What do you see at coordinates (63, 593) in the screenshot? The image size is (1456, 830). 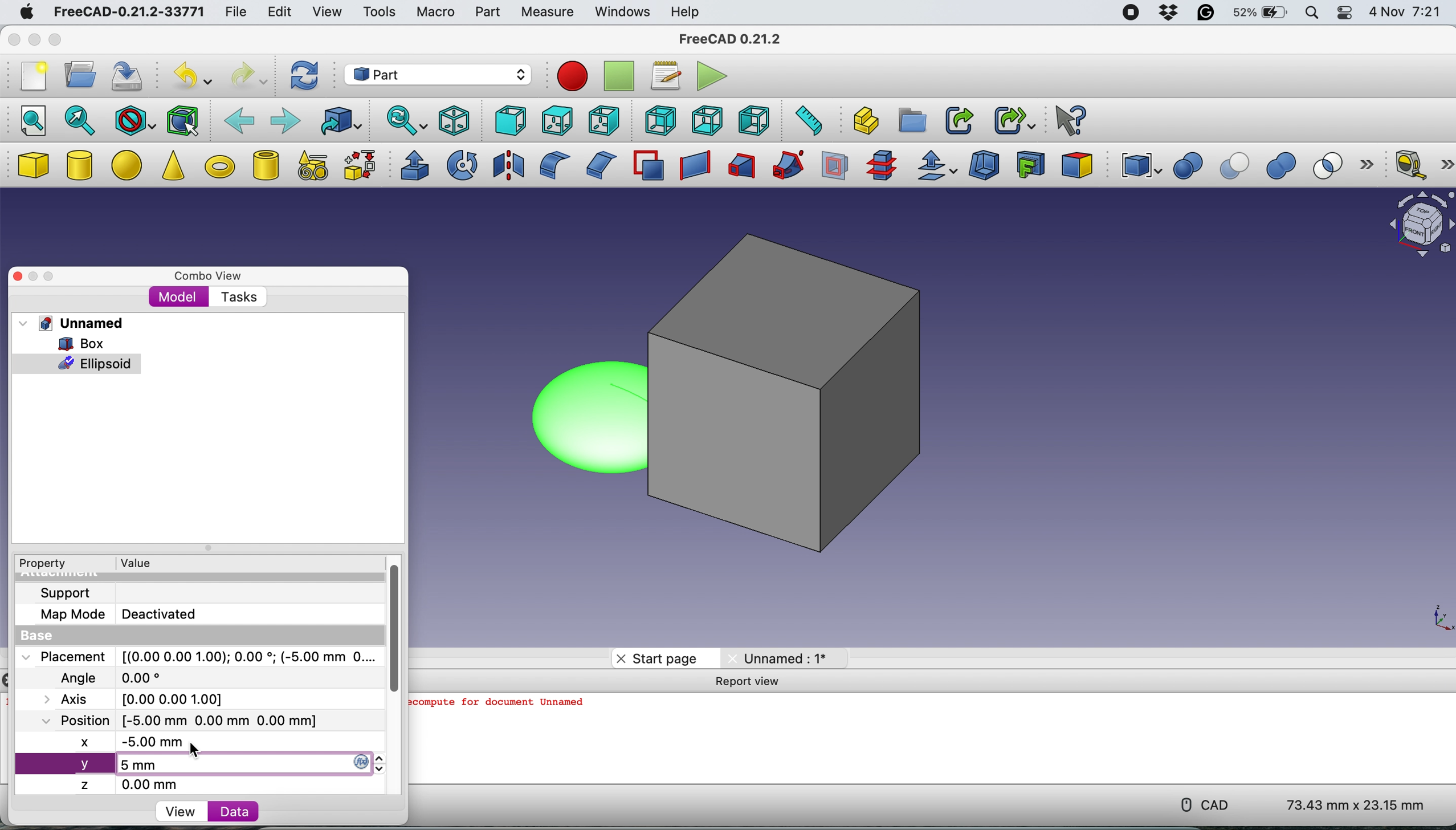 I see `support` at bounding box center [63, 593].